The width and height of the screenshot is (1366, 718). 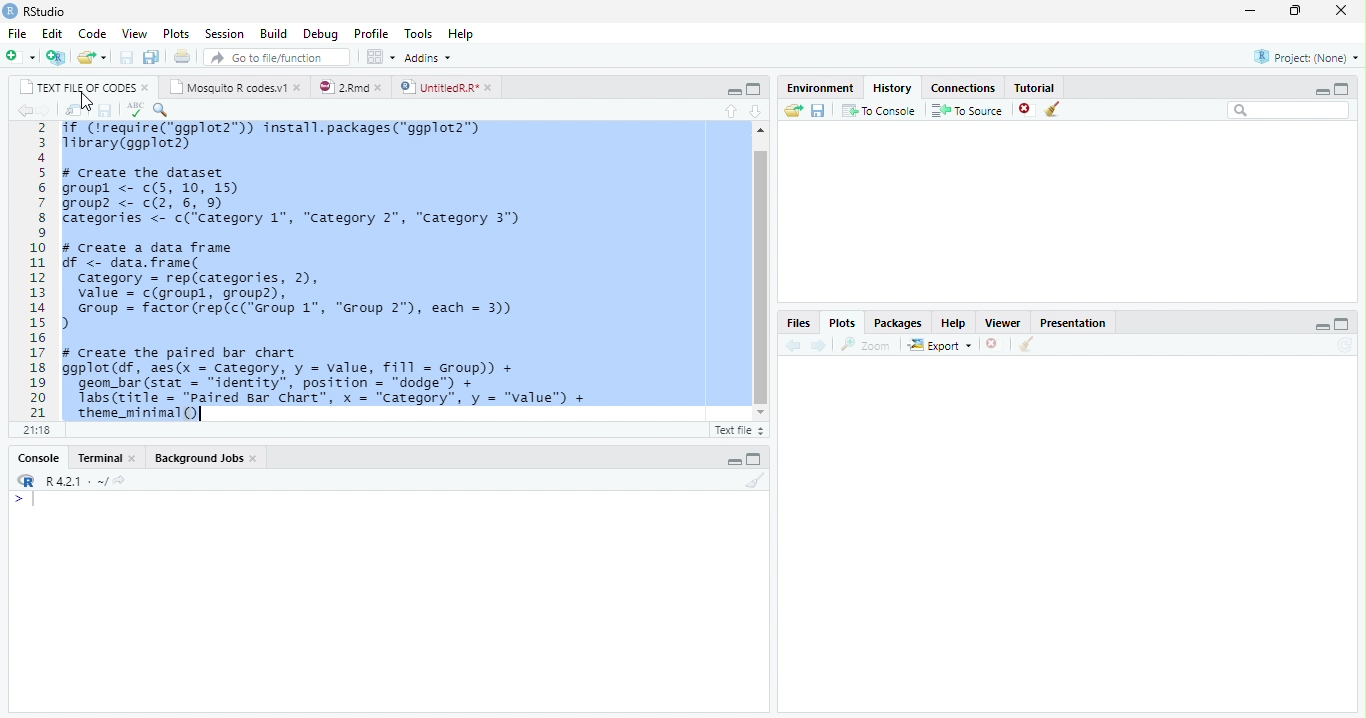 What do you see at coordinates (49, 33) in the screenshot?
I see `edit` at bounding box center [49, 33].